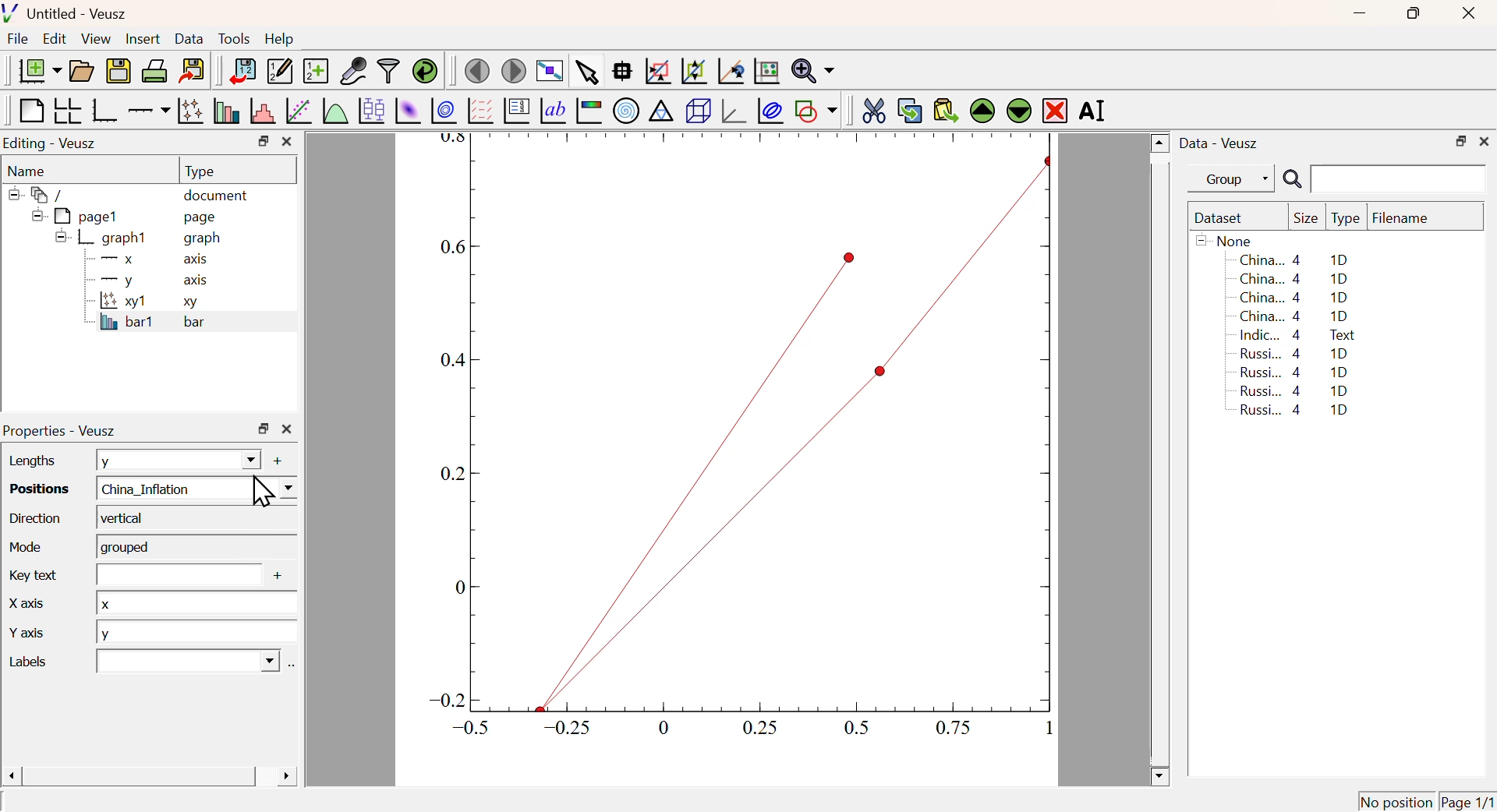 Image resolution: width=1497 pixels, height=812 pixels. Describe the element at coordinates (1222, 219) in the screenshot. I see `Dataset` at that location.